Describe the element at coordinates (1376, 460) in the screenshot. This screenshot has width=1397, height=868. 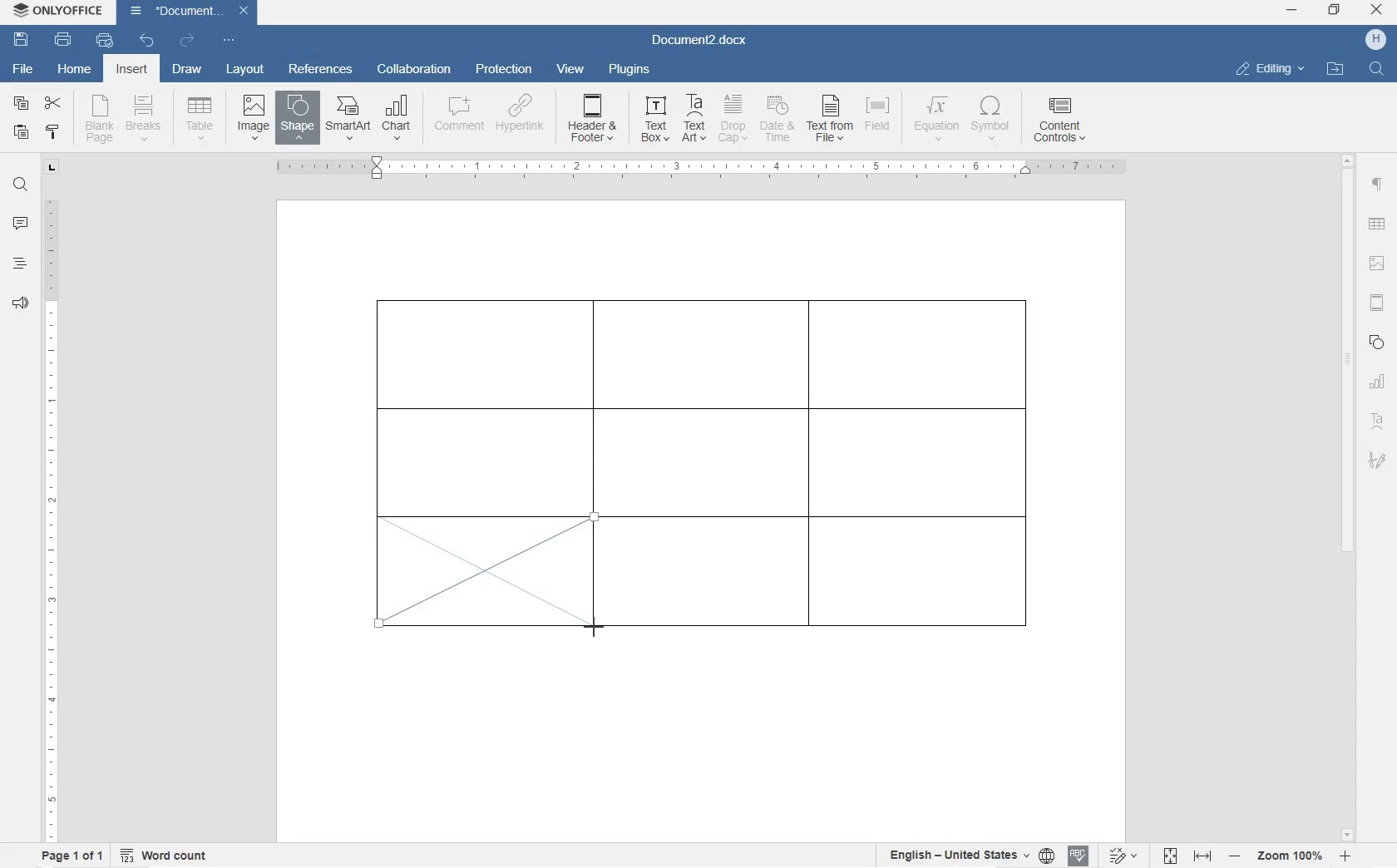
I see `signature` at that location.